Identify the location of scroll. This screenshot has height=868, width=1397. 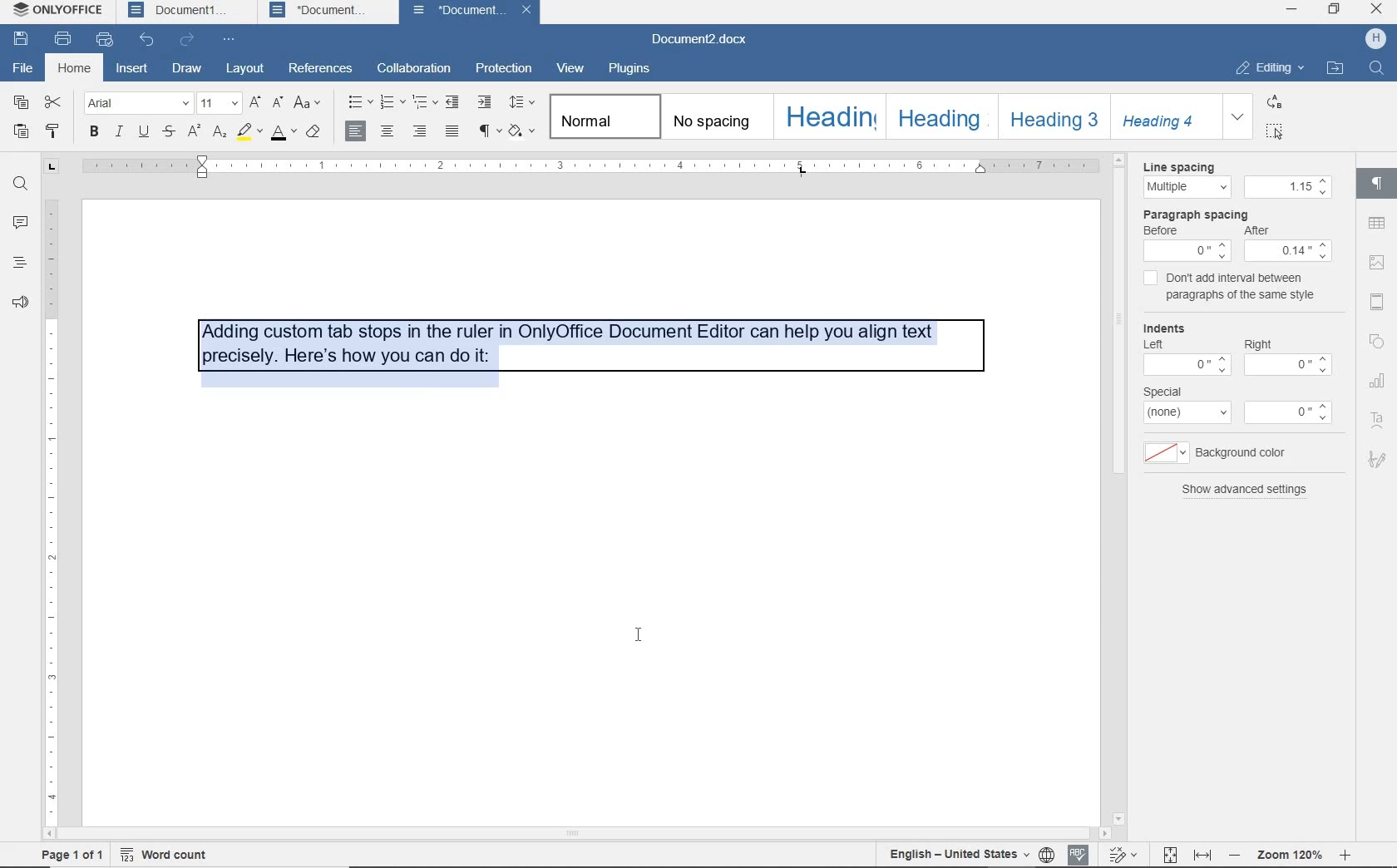
(600, 834).